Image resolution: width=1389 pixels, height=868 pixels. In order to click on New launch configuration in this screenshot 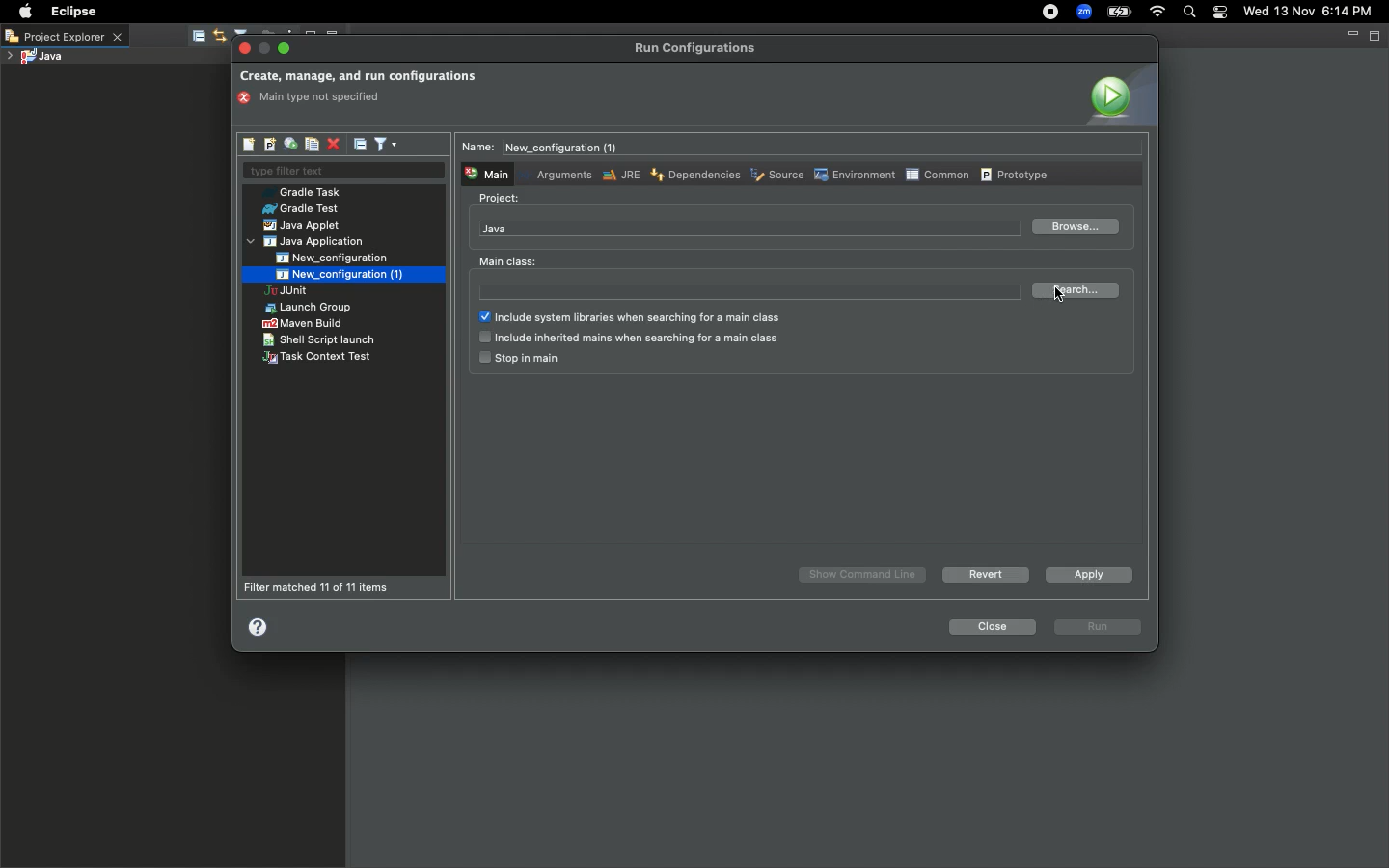, I will do `click(250, 145)`.